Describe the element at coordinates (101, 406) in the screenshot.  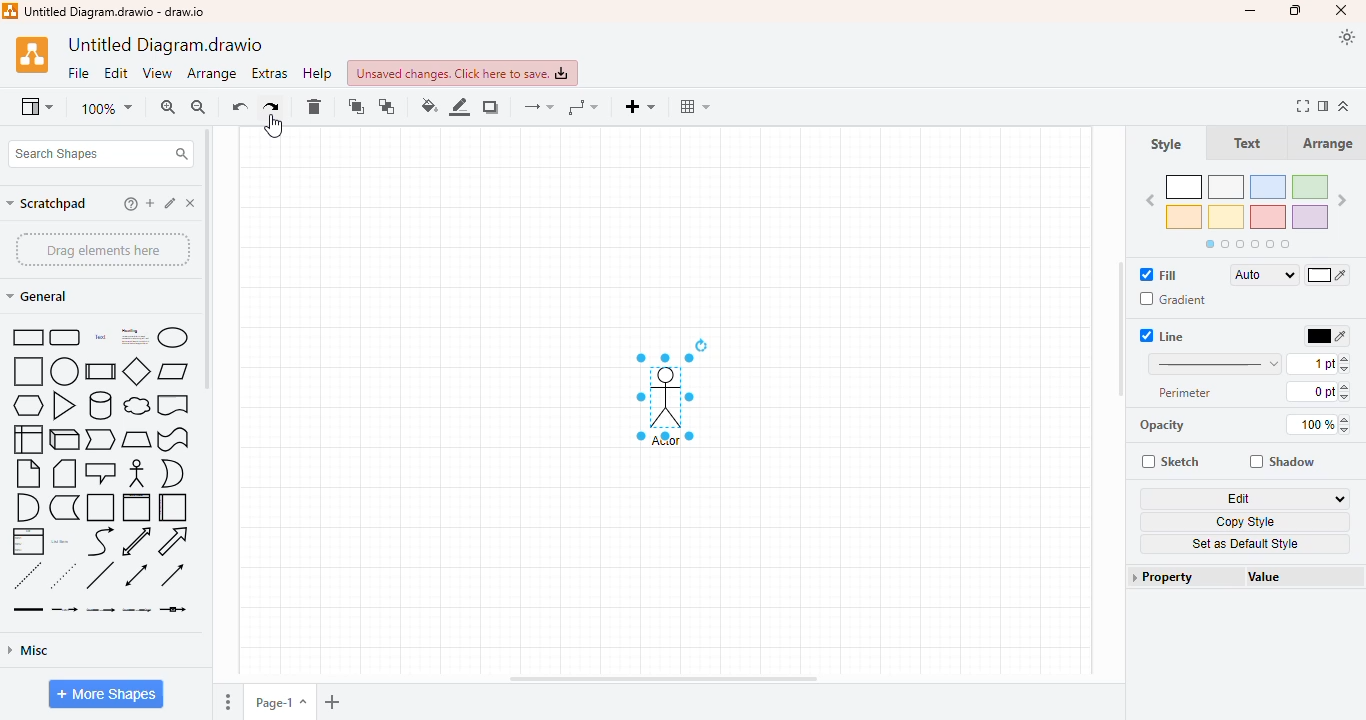
I see `cylinder` at that location.